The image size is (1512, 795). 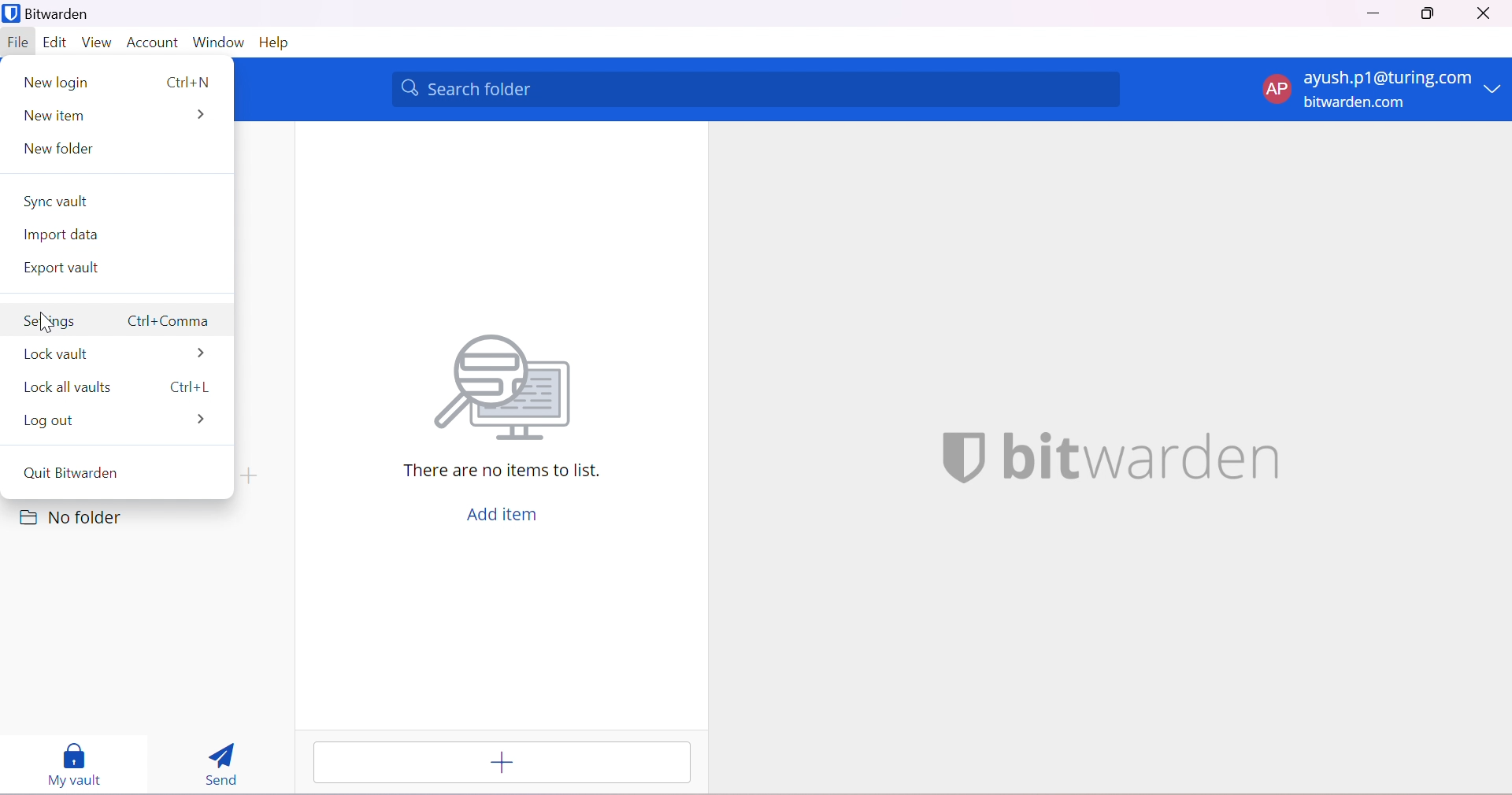 What do you see at coordinates (59, 149) in the screenshot?
I see `New folder` at bounding box center [59, 149].